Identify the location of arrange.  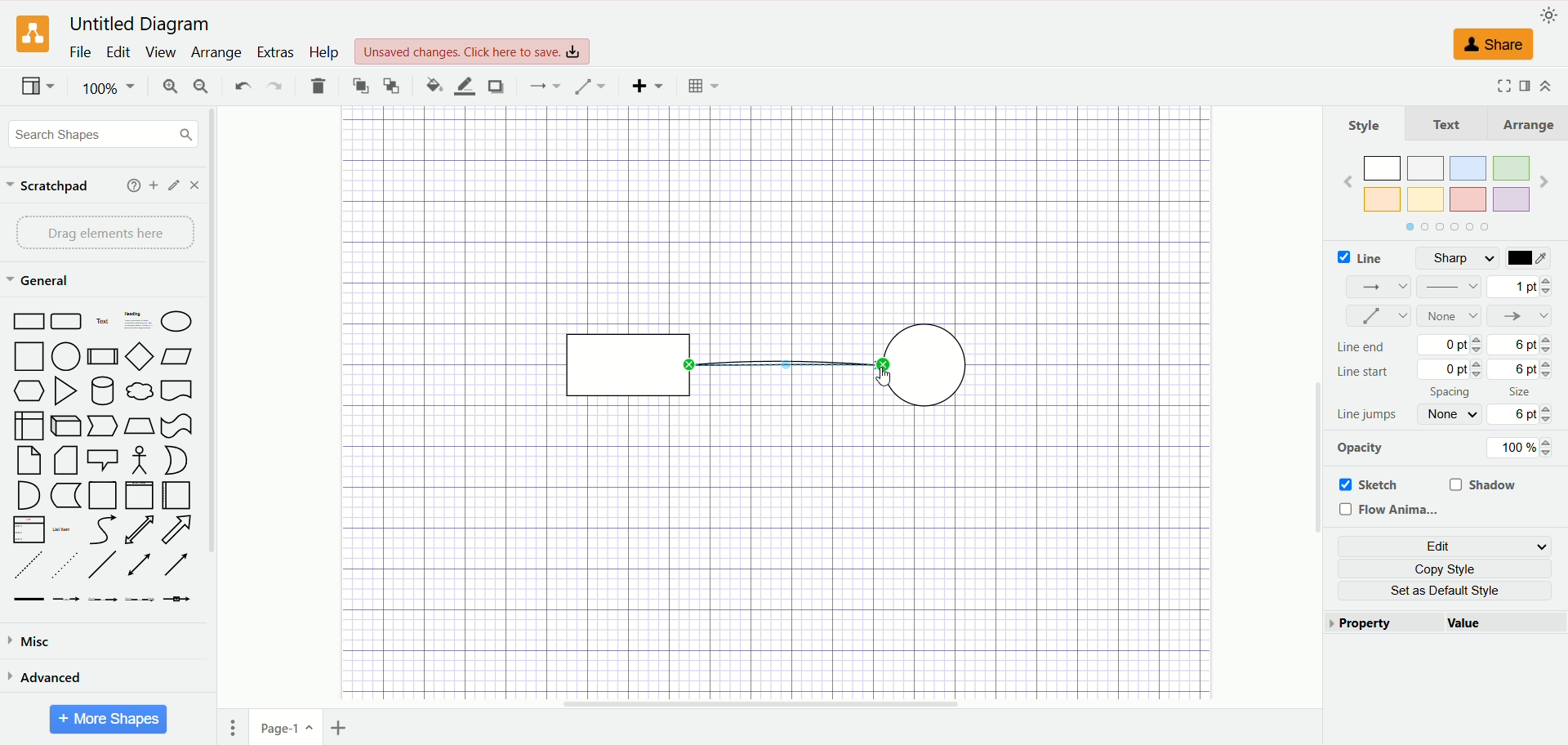
(1532, 124).